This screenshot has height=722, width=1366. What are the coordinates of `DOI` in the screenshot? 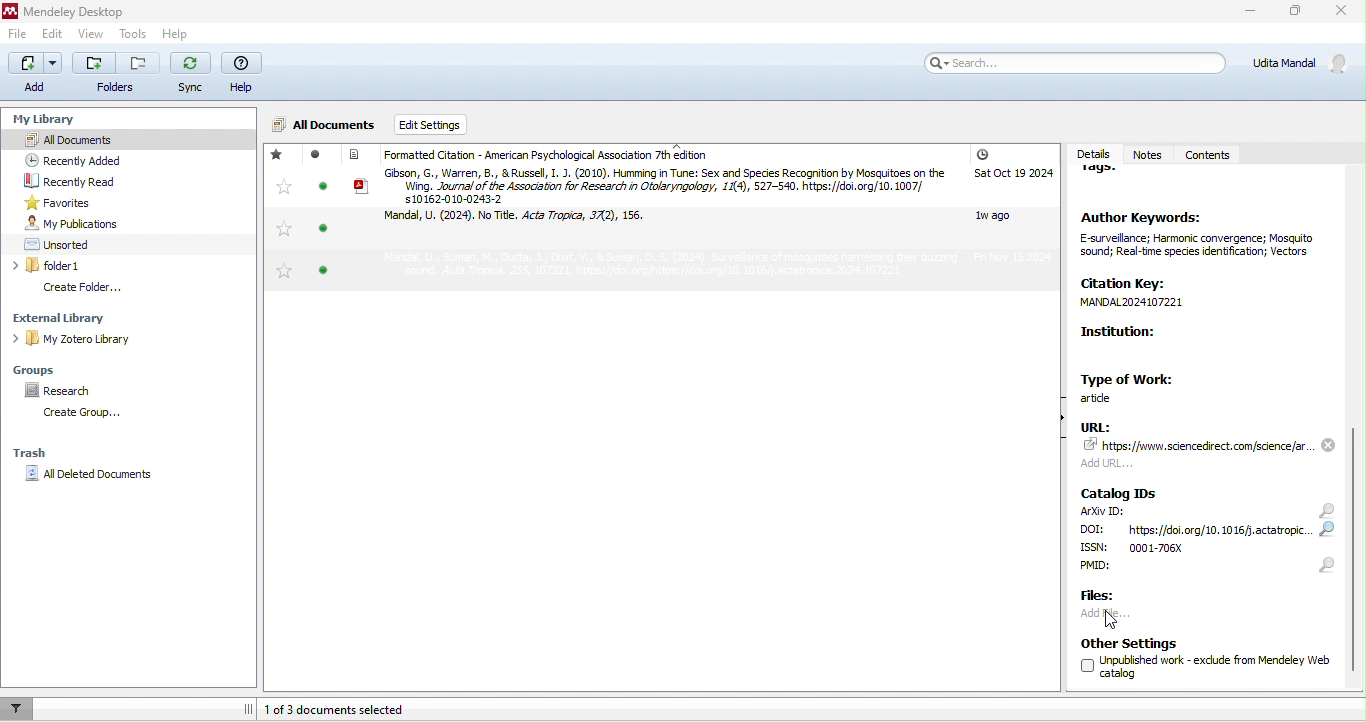 It's located at (1198, 530).